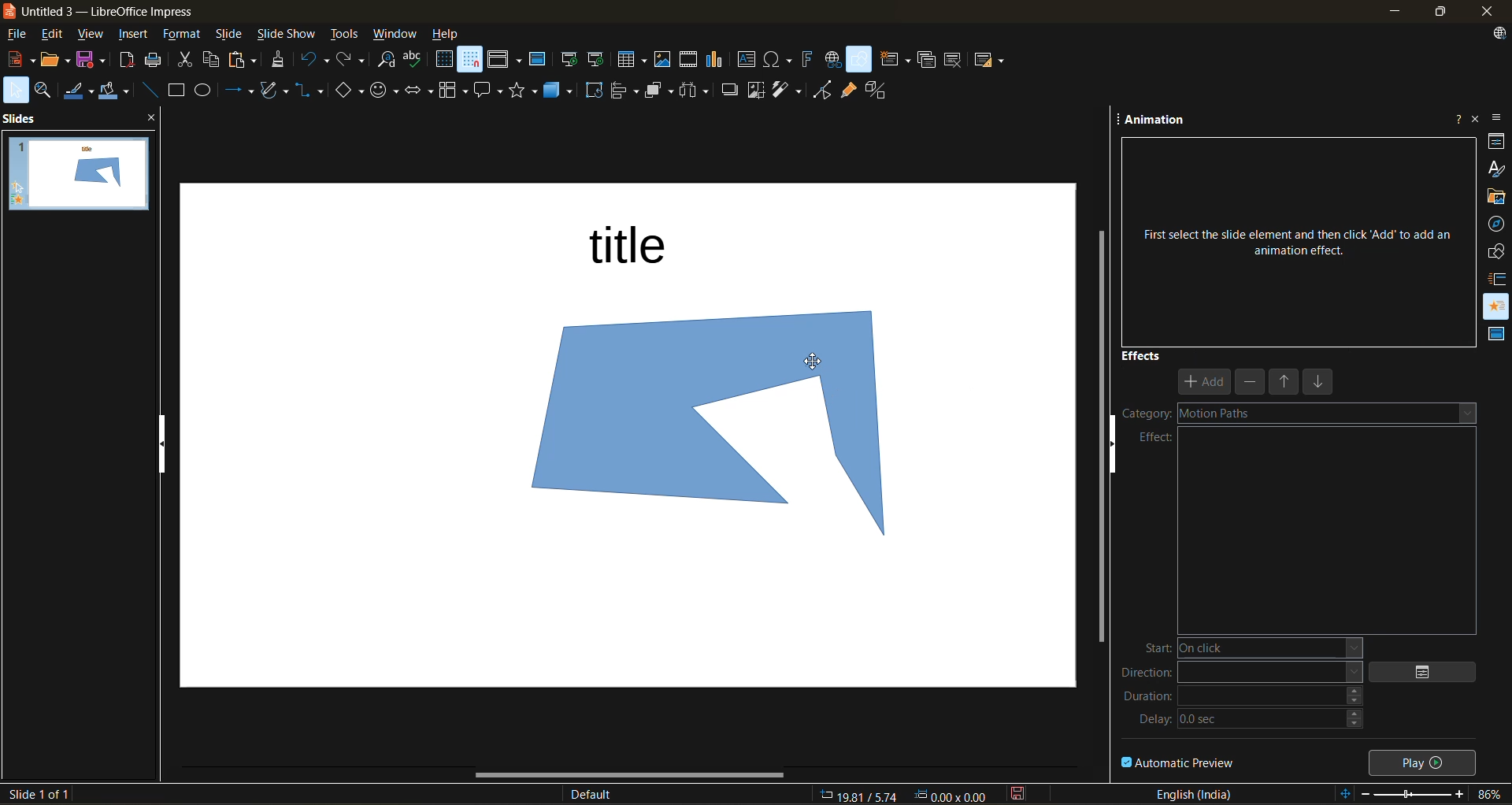 The height and width of the screenshot is (805, 1512). Describe the element at coordinates (16, 32) in the screenshot. I see `file` at that location.